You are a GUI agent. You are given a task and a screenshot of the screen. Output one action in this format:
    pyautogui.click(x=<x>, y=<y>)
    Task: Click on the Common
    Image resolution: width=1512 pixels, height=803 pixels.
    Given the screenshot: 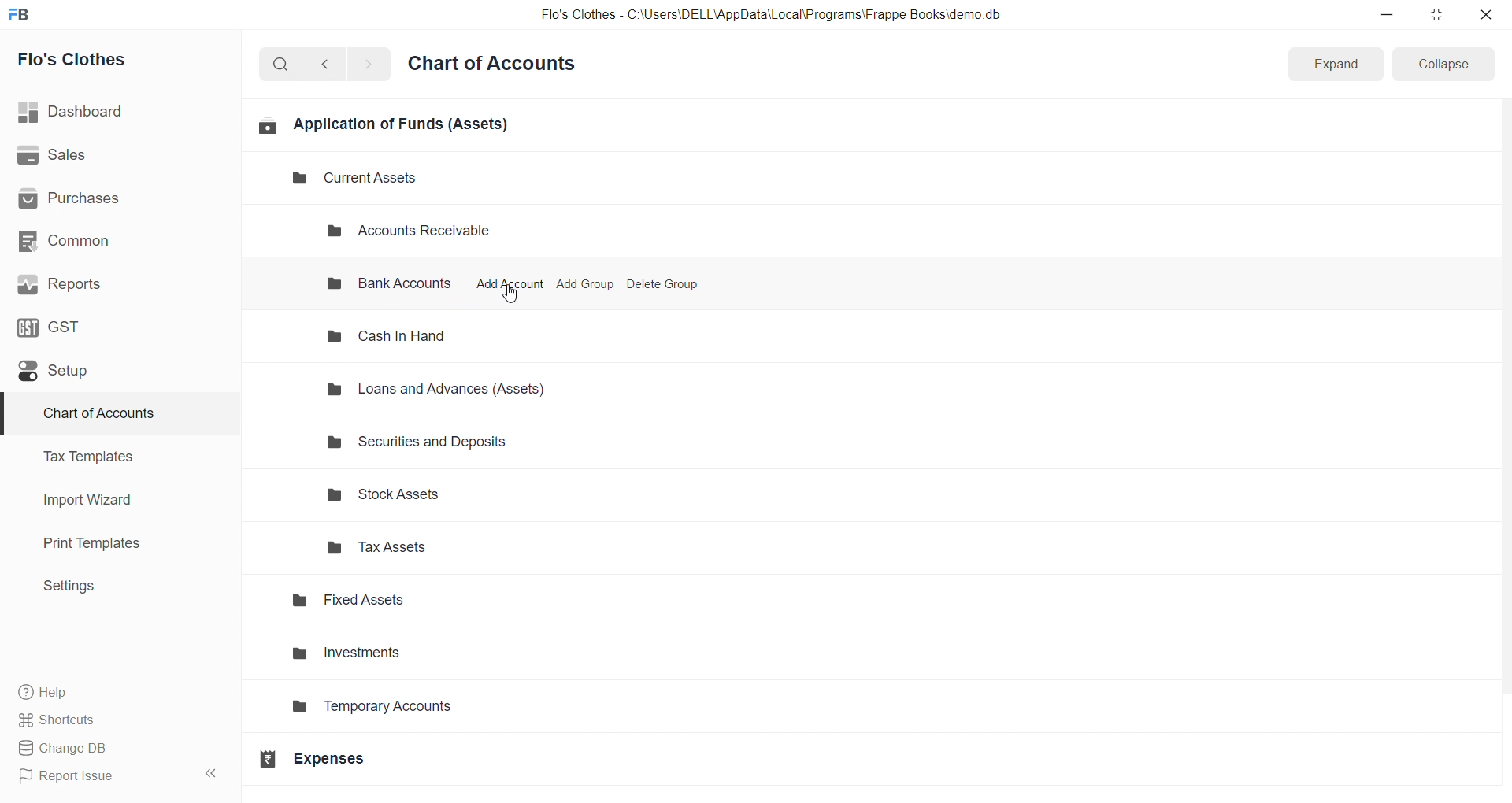 What is the action you would take?
    pyautogui.click(x=111, y=240)
    